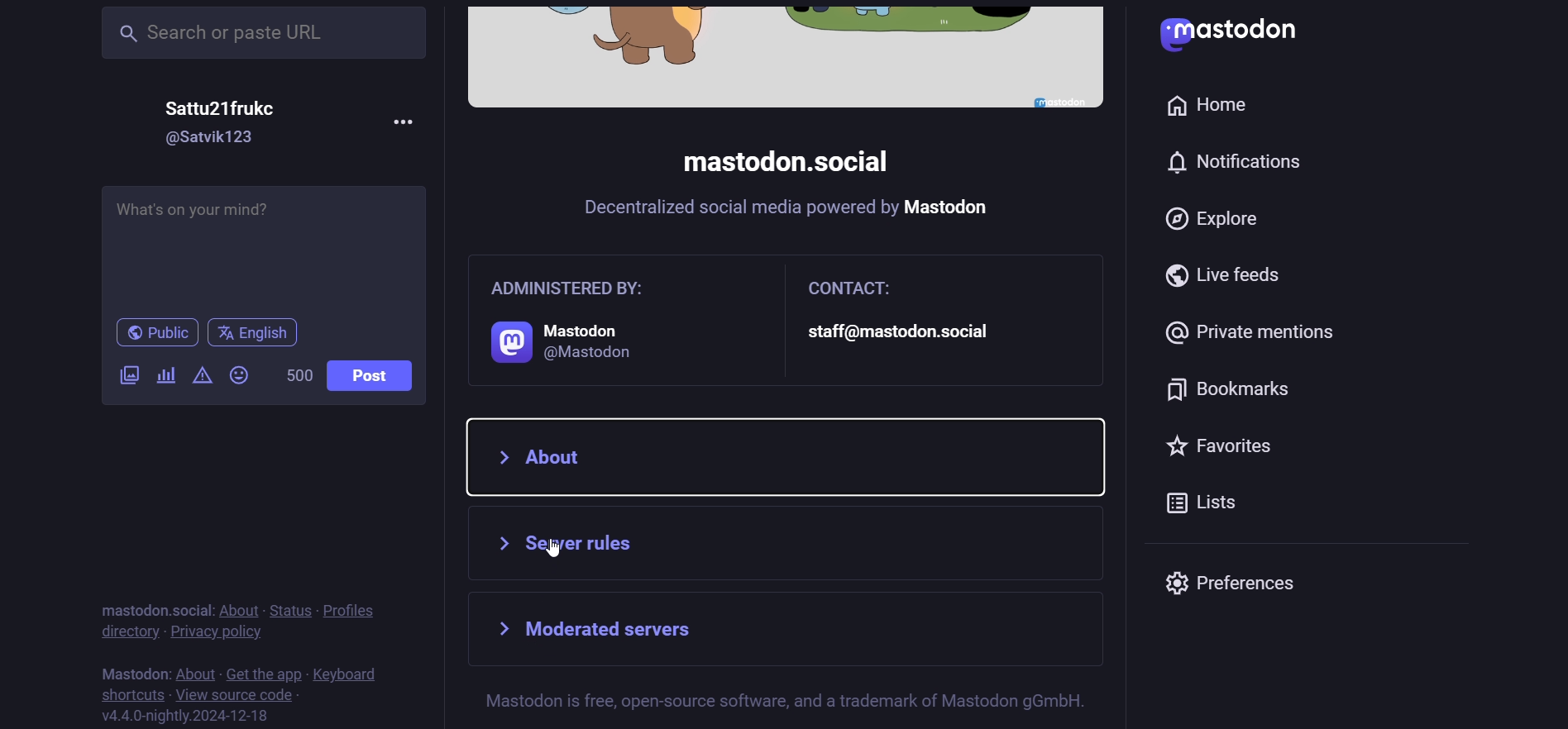 This screenshot has height=729, width=1568. Describe the element at coordinates (265, 31) in the screenshot. I see `search` at that location.